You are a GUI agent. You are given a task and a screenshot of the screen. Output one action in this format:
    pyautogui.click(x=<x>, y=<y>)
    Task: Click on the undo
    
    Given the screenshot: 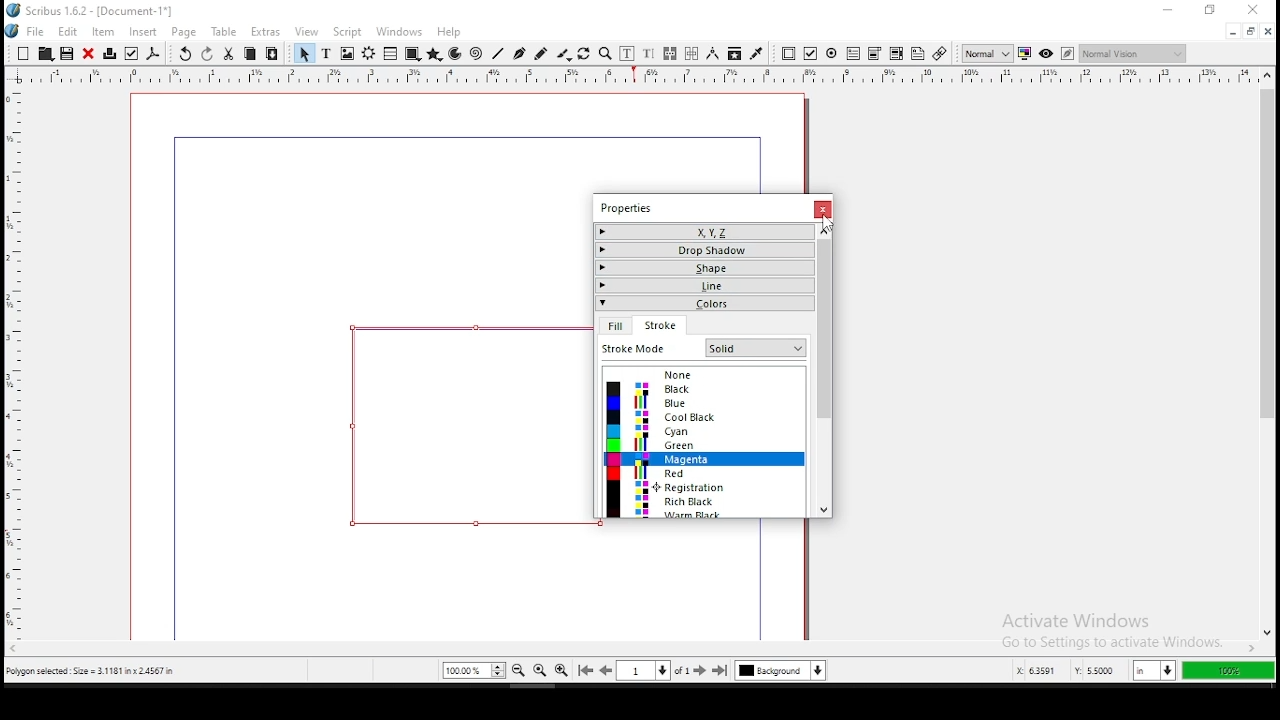 What is the action you would take?
    pyautogui.click(x=184, y=54)
    